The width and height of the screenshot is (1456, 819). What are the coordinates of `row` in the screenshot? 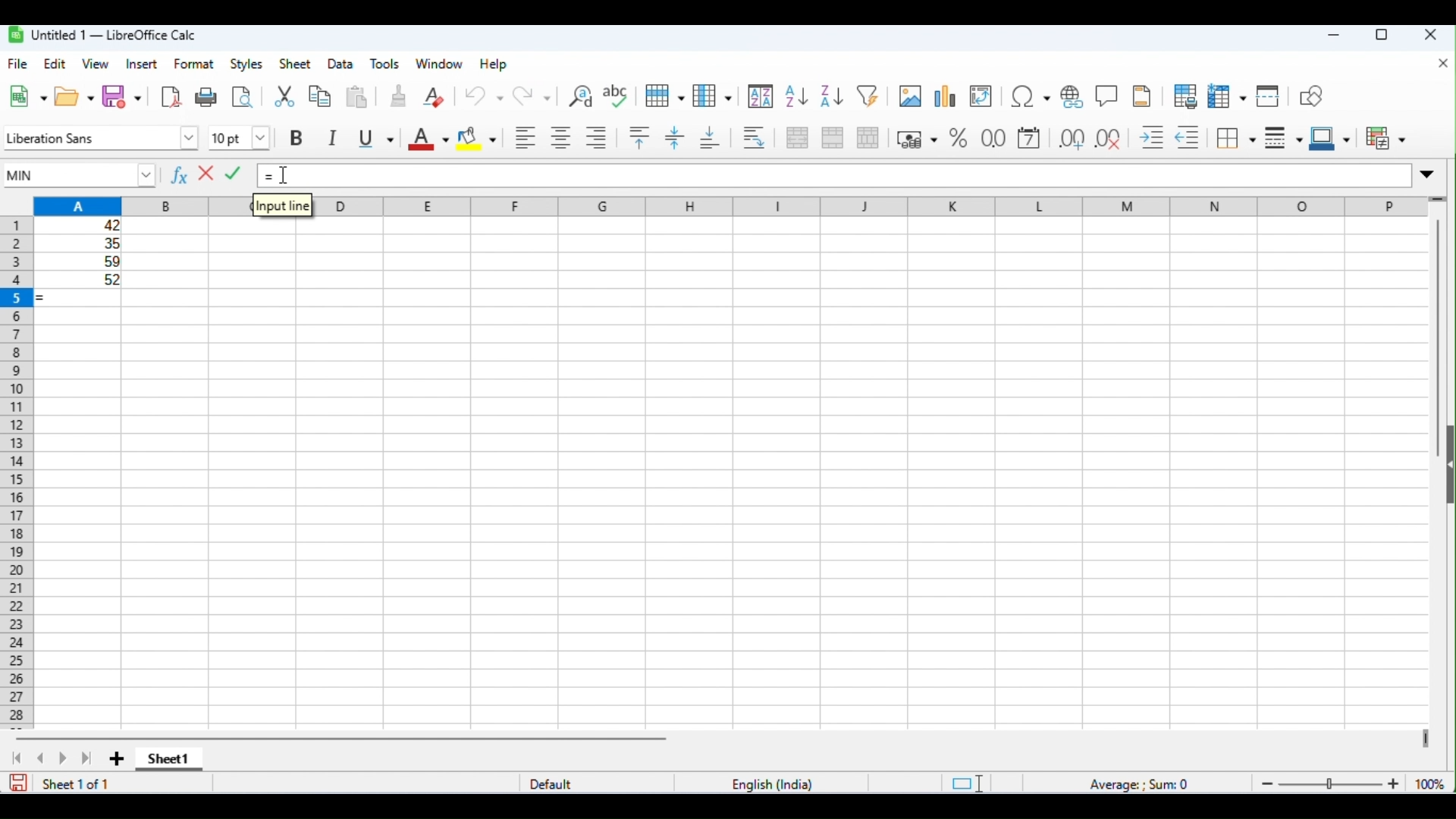 It's located at (664, 95).